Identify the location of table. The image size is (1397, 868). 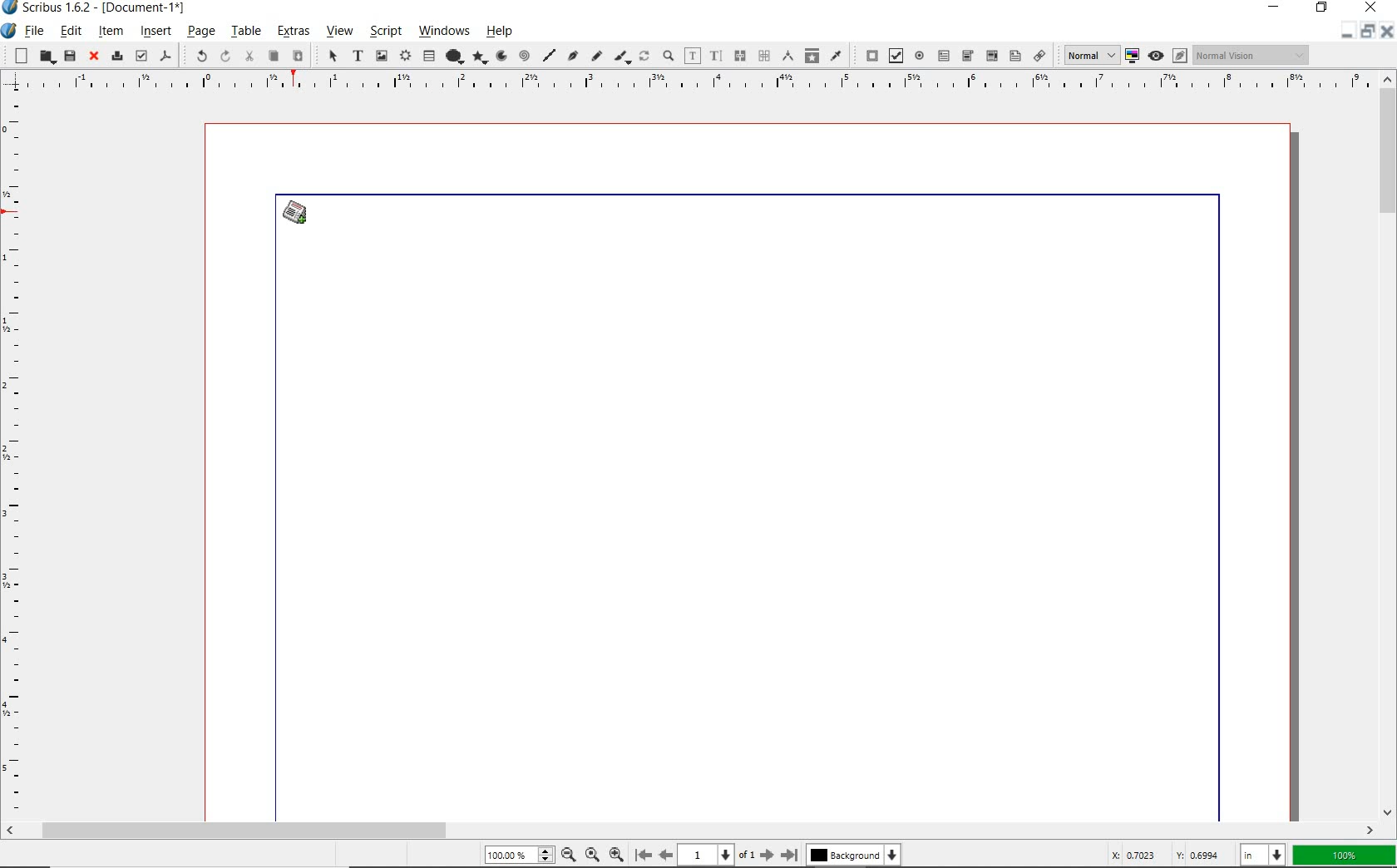
(245, 31).